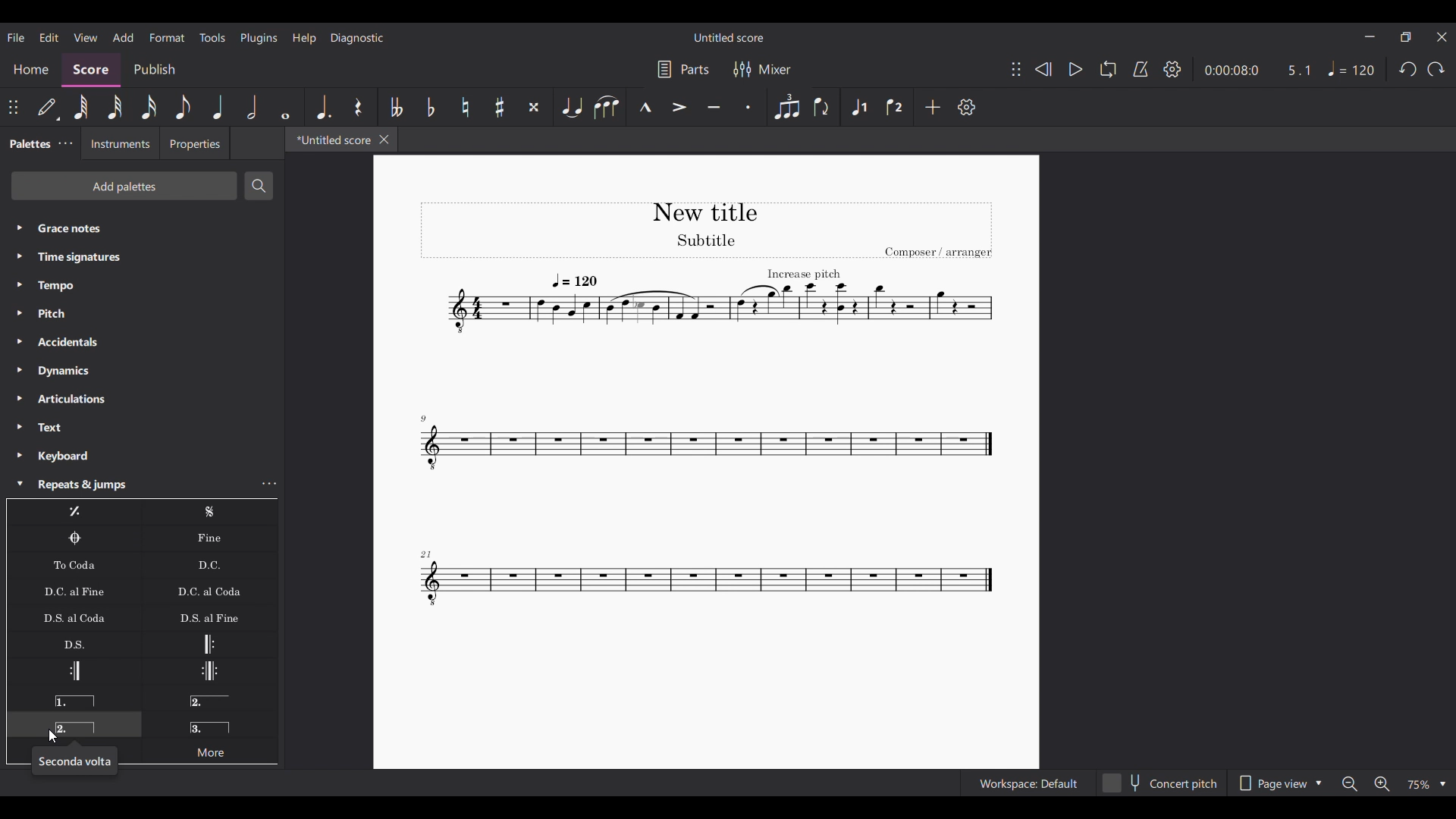 Image resolution: width=1456 pixels, height=819 pixels. Describe the element at coordinates (748, 107) in the screenshot. I see `Staccato` at that location.